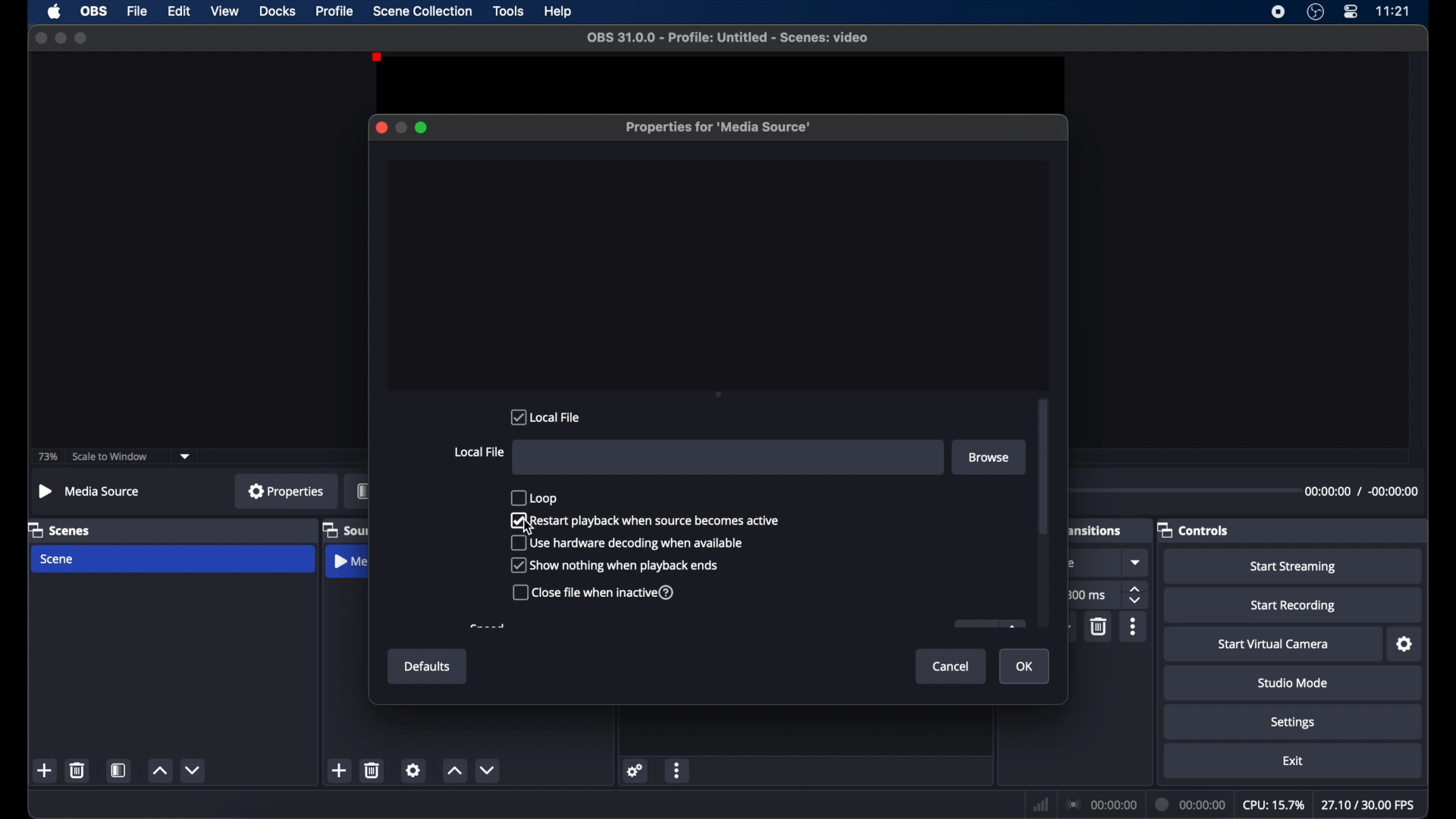 Image resolution: width=1456 pixels, height=819 pixels. Describe the element at coordinates (1294, 723) in the screenshot. I see `settings` at that location.